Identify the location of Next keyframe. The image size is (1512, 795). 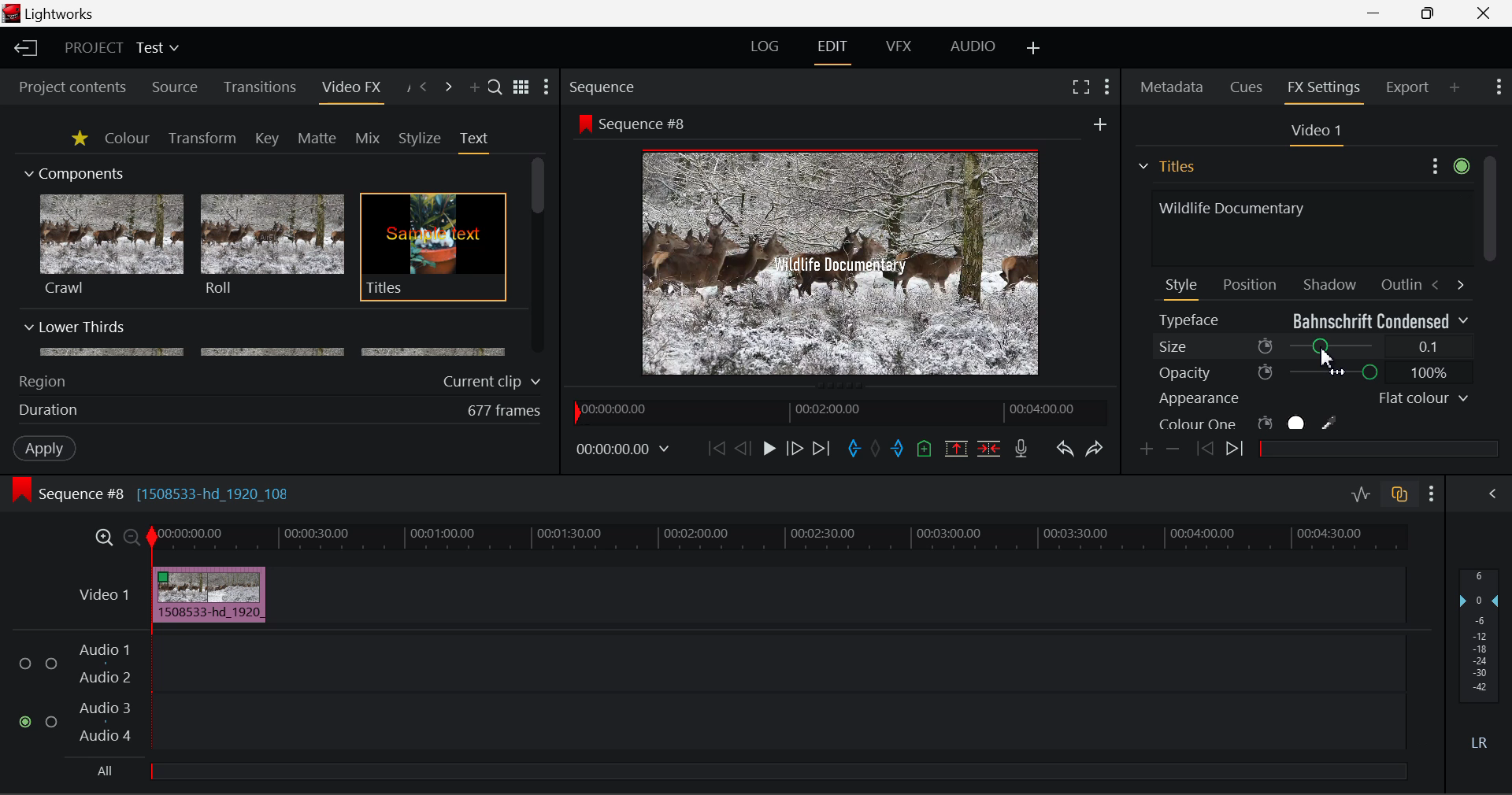
(1237, 451).